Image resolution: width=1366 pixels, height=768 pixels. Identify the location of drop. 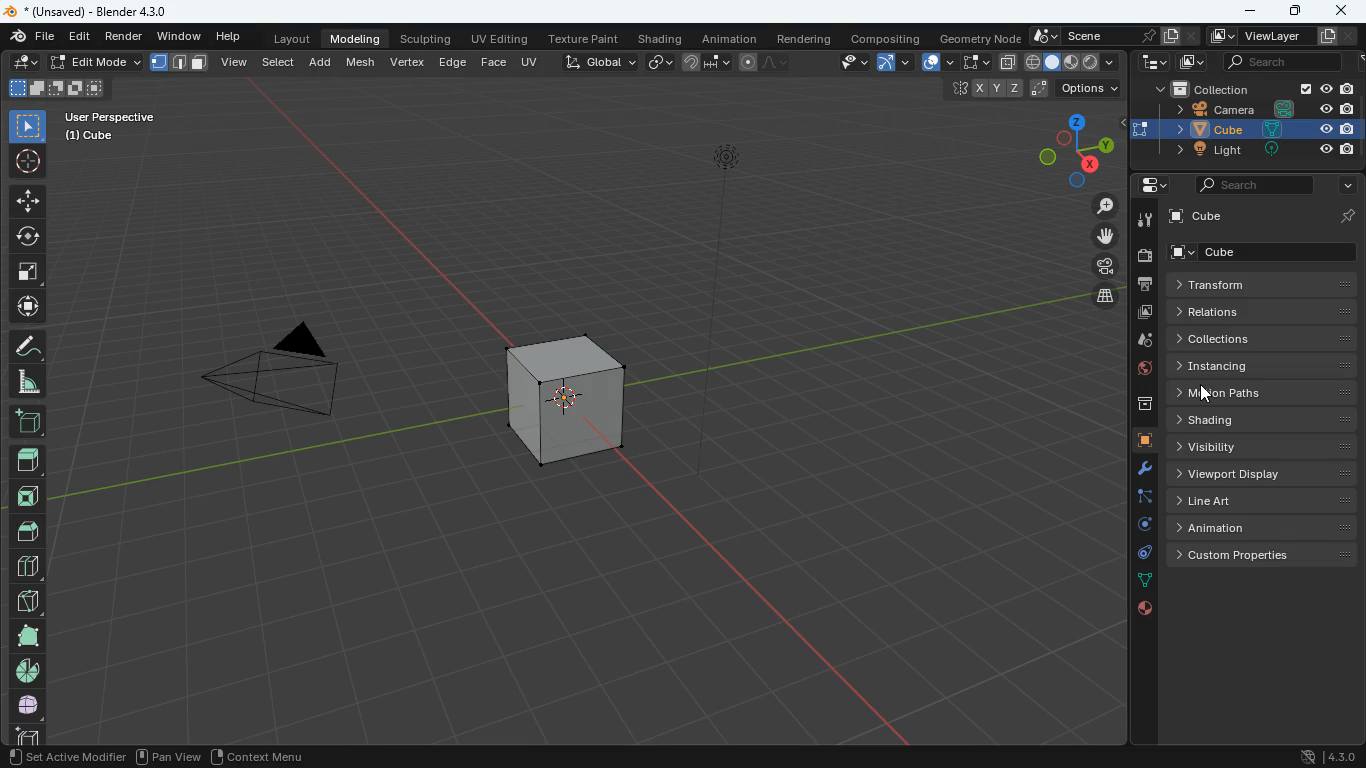
(1139, 342).